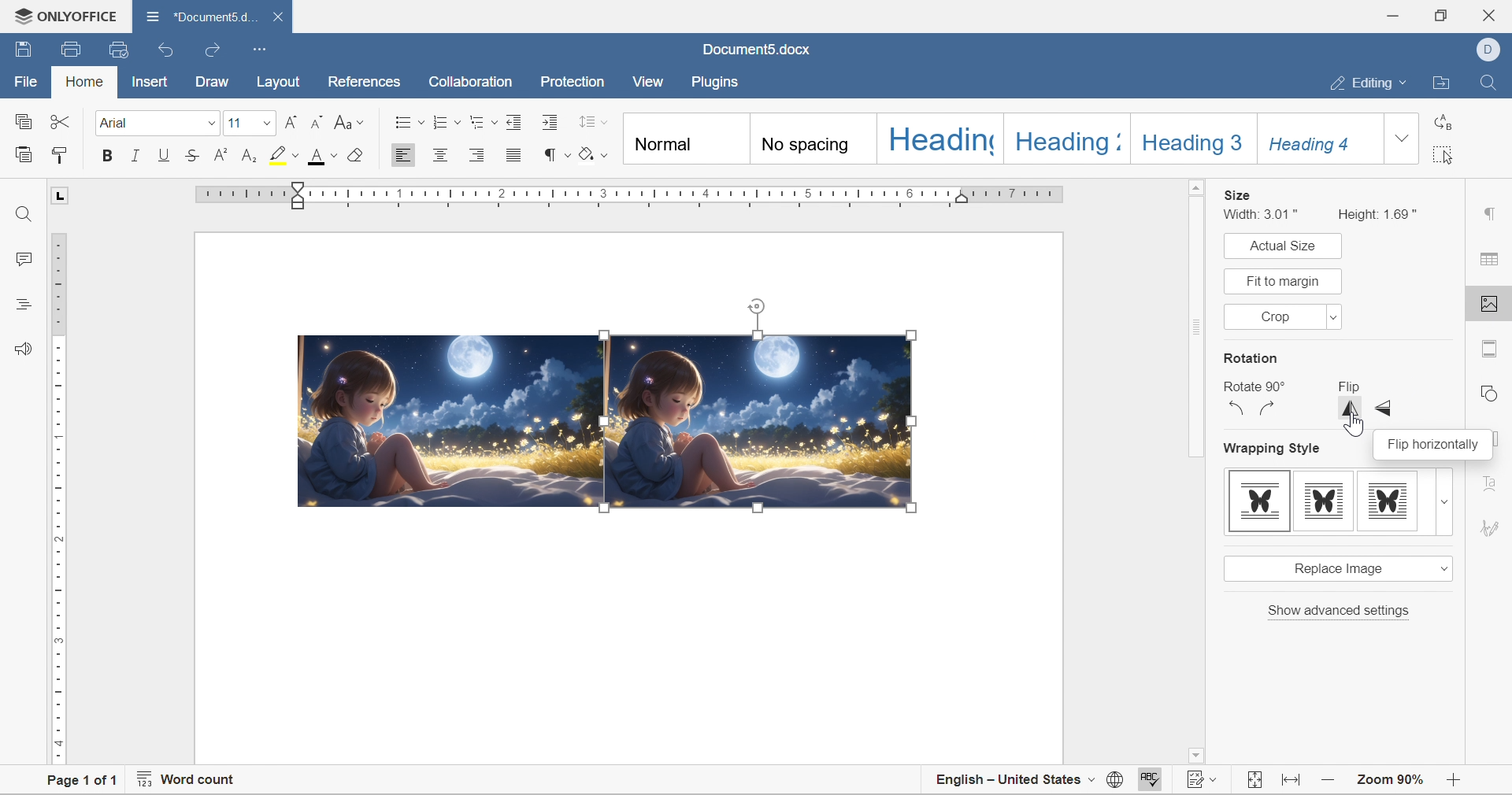 The height and width of the screenshot is (795, 1512). What do you see at coordinates (451, 420) in the screenshot?
I see `image` at bounding box center [451, 420].